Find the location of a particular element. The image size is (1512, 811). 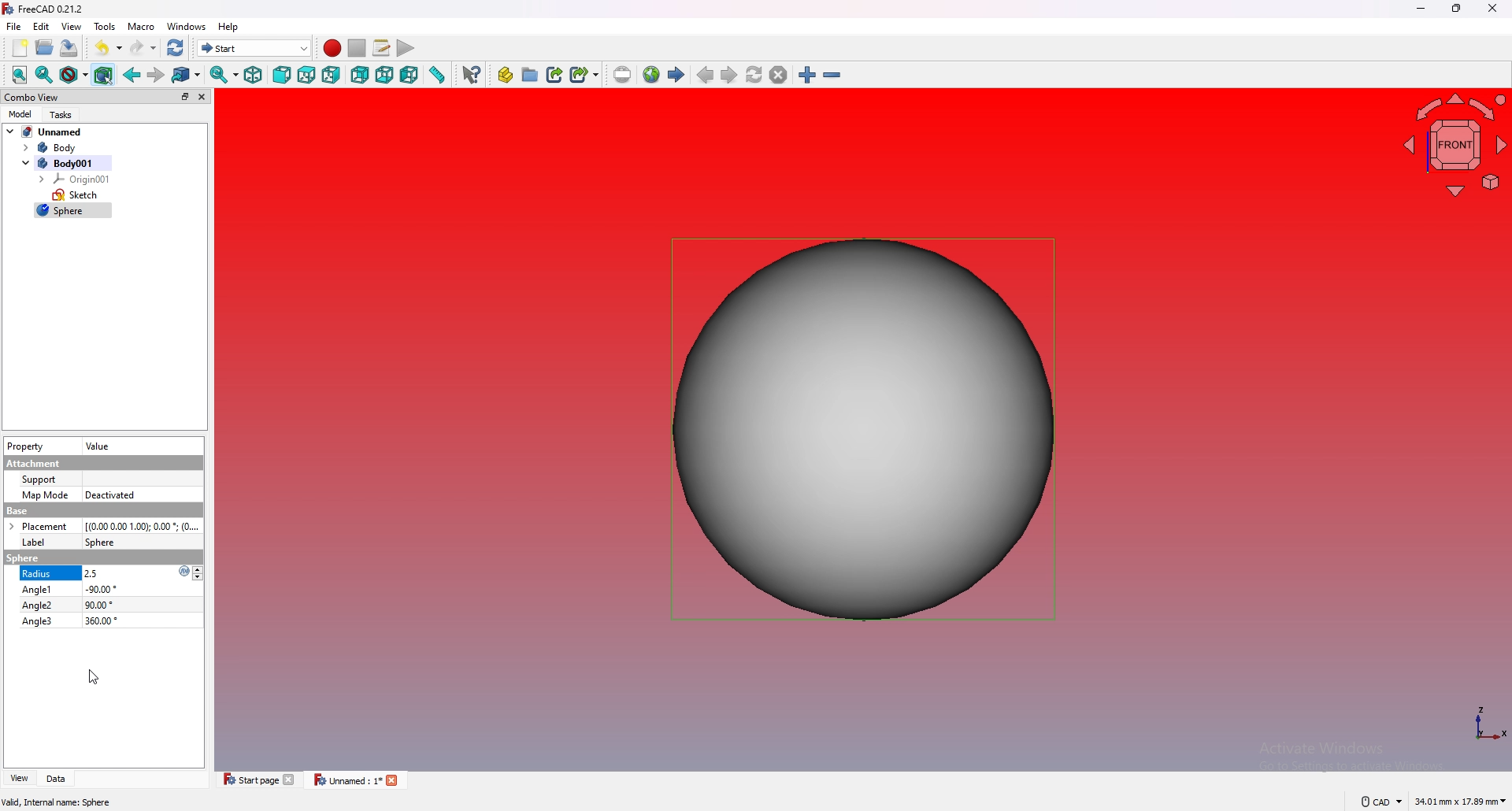

start page is located at coordinates (676, 75).